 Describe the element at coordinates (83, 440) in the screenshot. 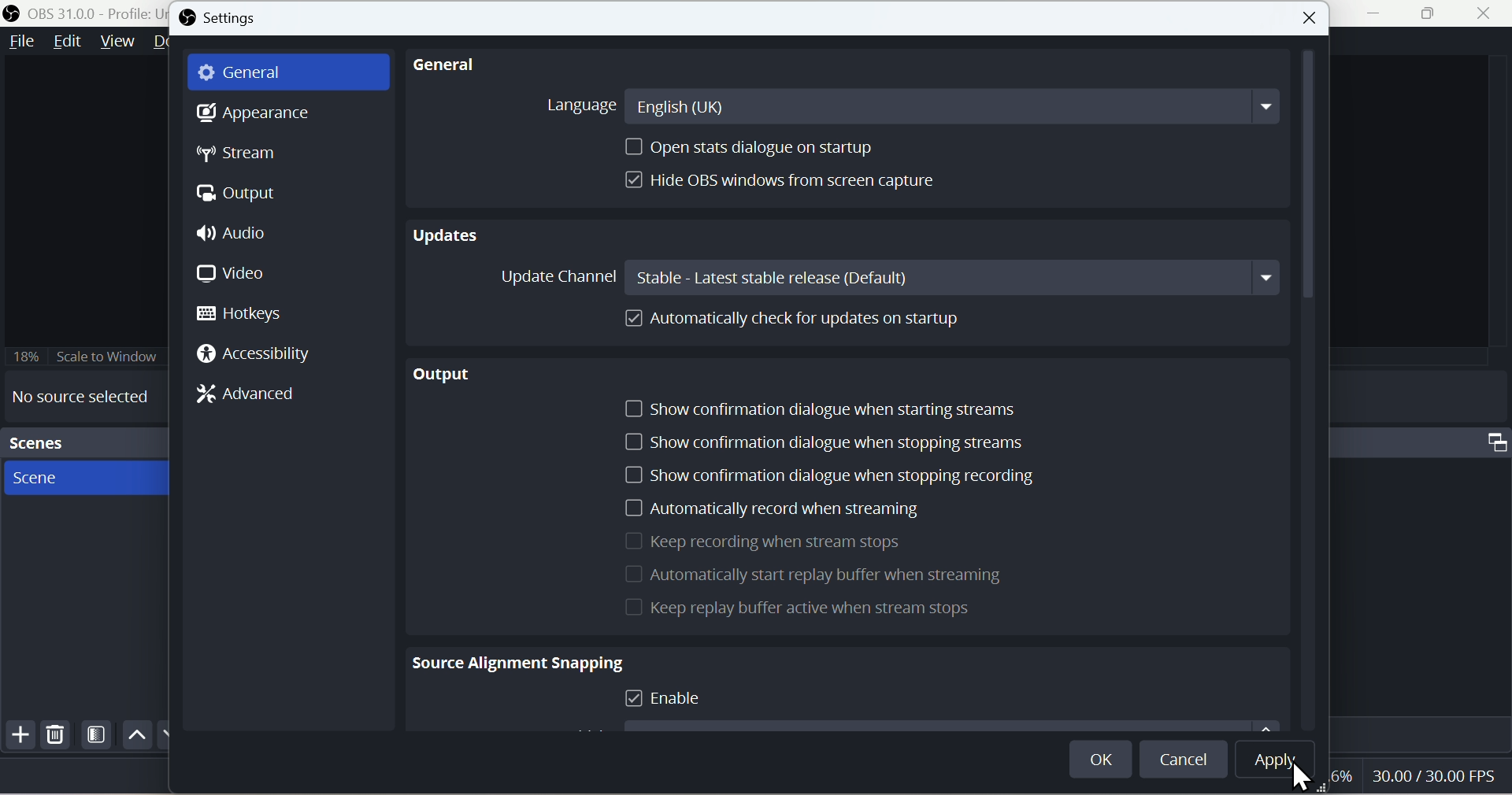

I see `Scenes` at that location.